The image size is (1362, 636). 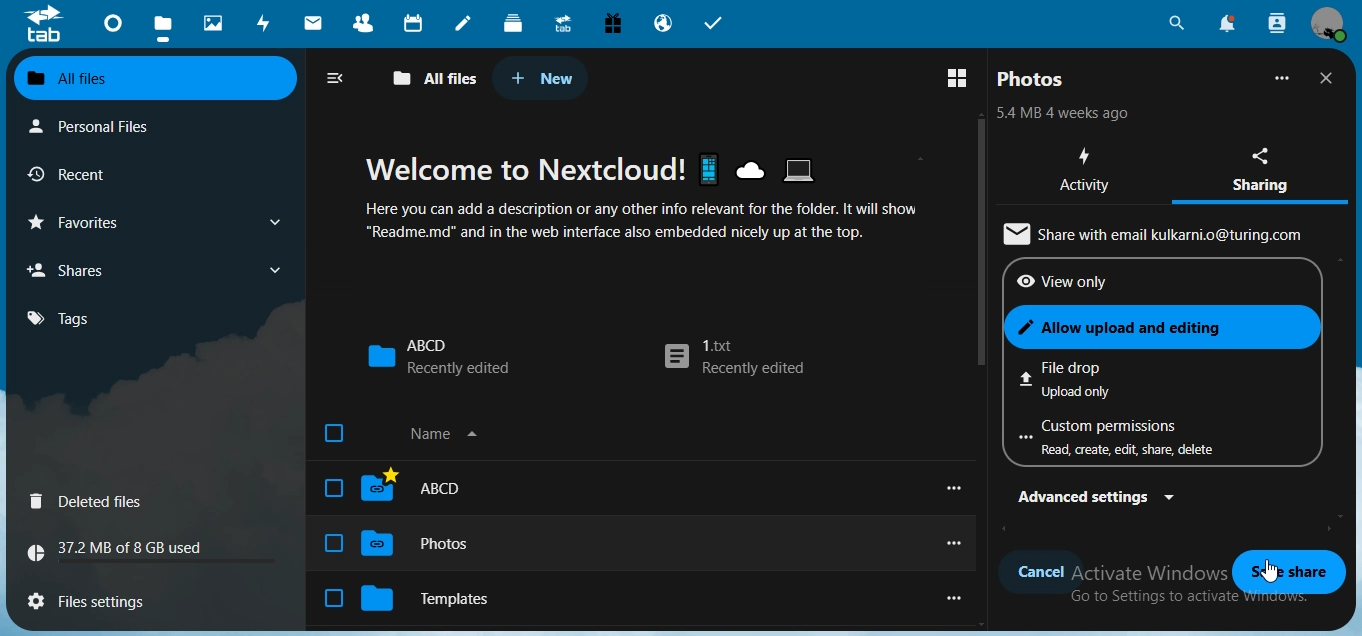 What do you see at coordinates (979, 243) in the screenshot?
I see `scroll bar` at bounding box center [979, 243].